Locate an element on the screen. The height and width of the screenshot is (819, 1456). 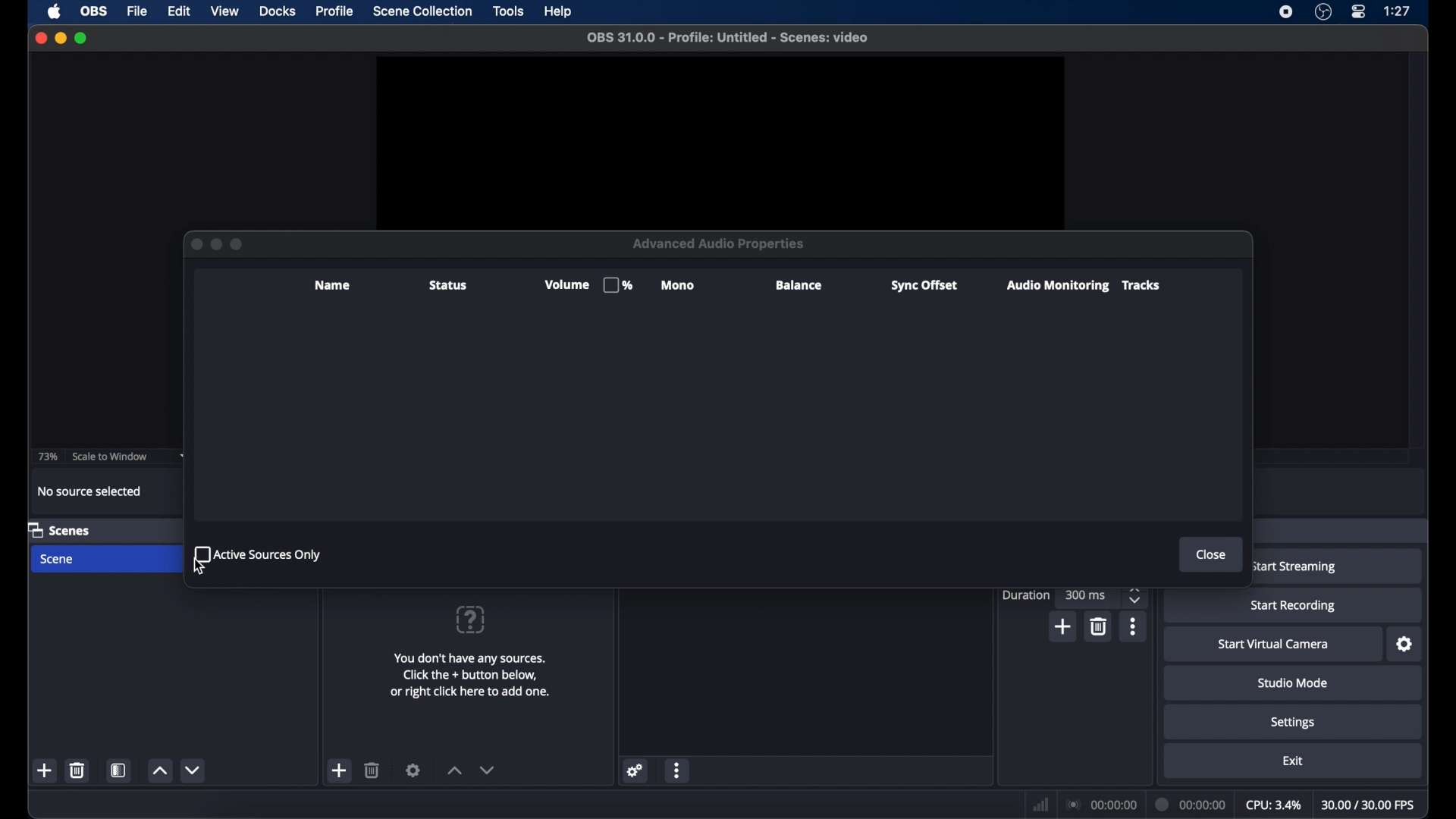
close is located at coordinates (1212, 554).